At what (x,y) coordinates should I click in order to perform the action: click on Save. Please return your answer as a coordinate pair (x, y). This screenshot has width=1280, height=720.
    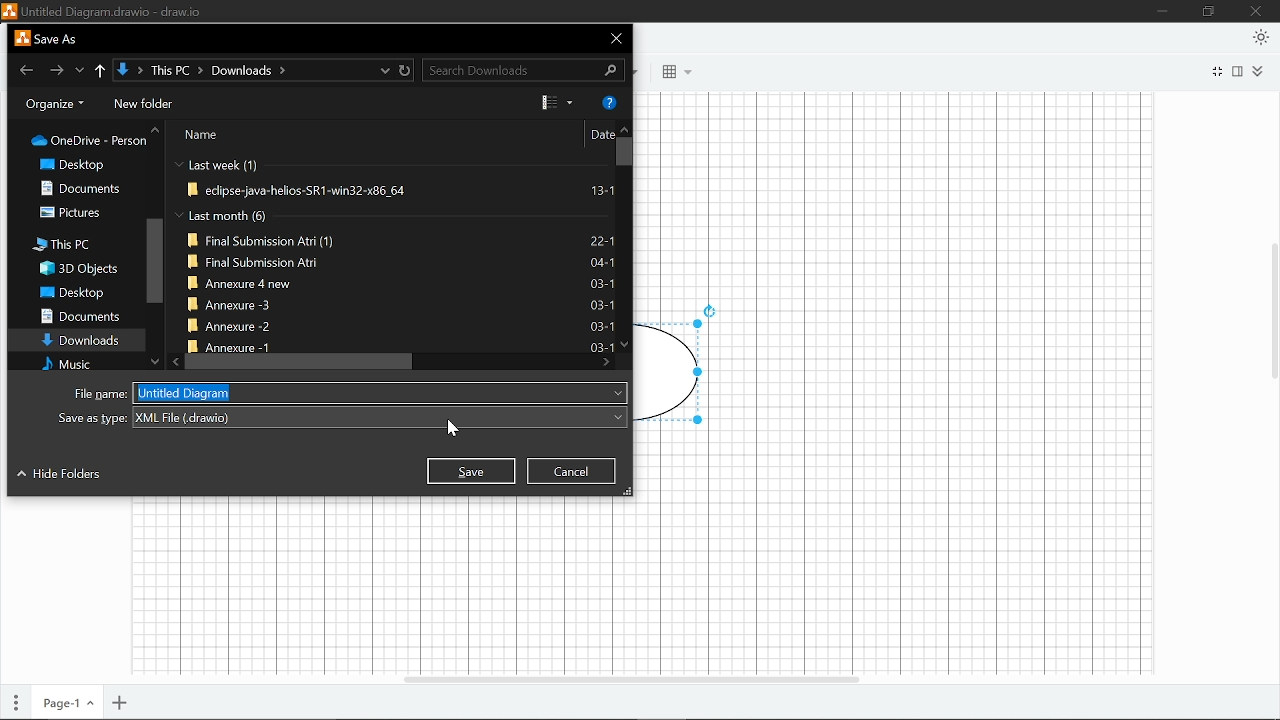
    Looking at the image, I should click on (470, 471).